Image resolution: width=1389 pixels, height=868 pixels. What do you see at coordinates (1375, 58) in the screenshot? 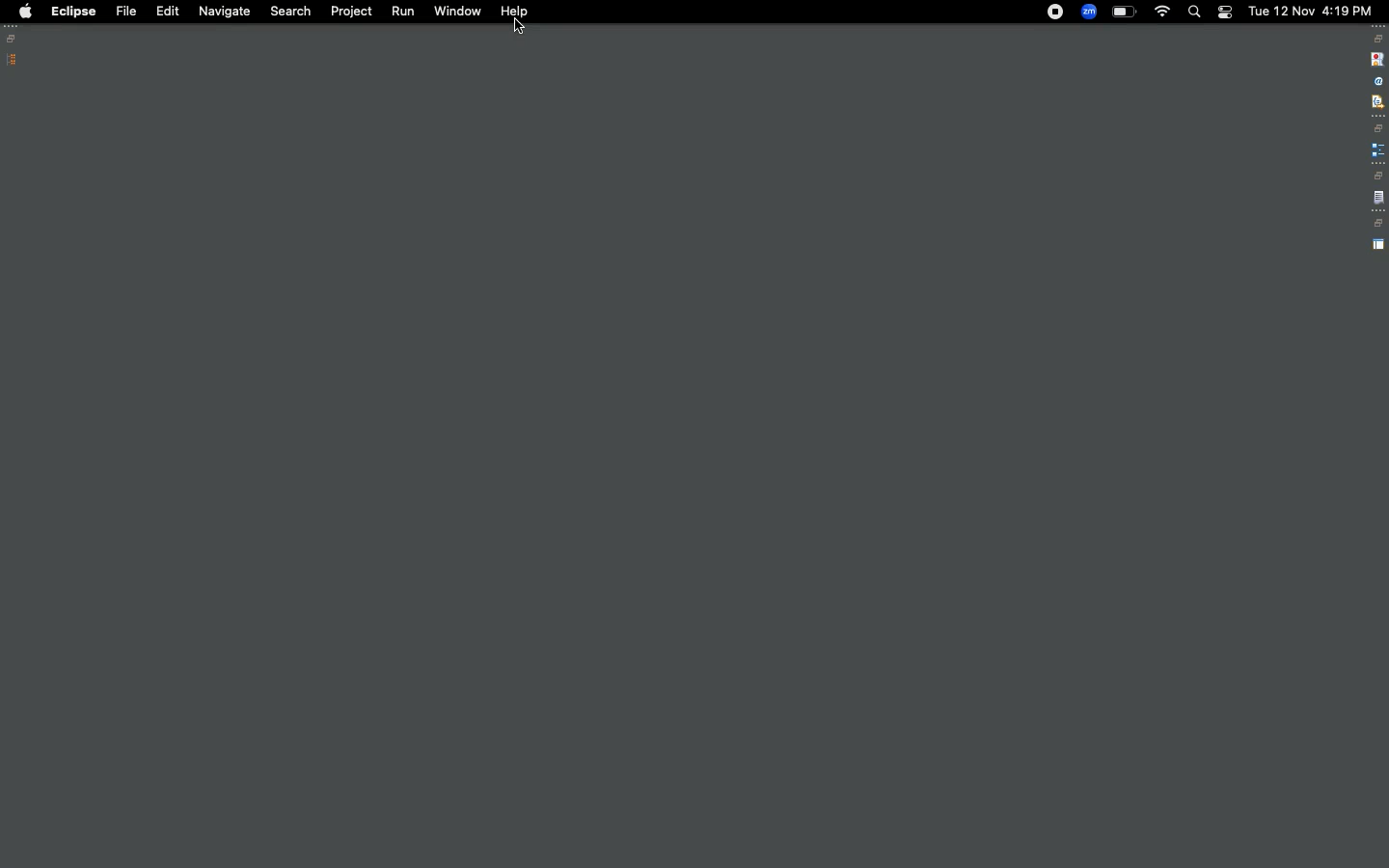
I see `stop` at bounding box center [1375, 58].